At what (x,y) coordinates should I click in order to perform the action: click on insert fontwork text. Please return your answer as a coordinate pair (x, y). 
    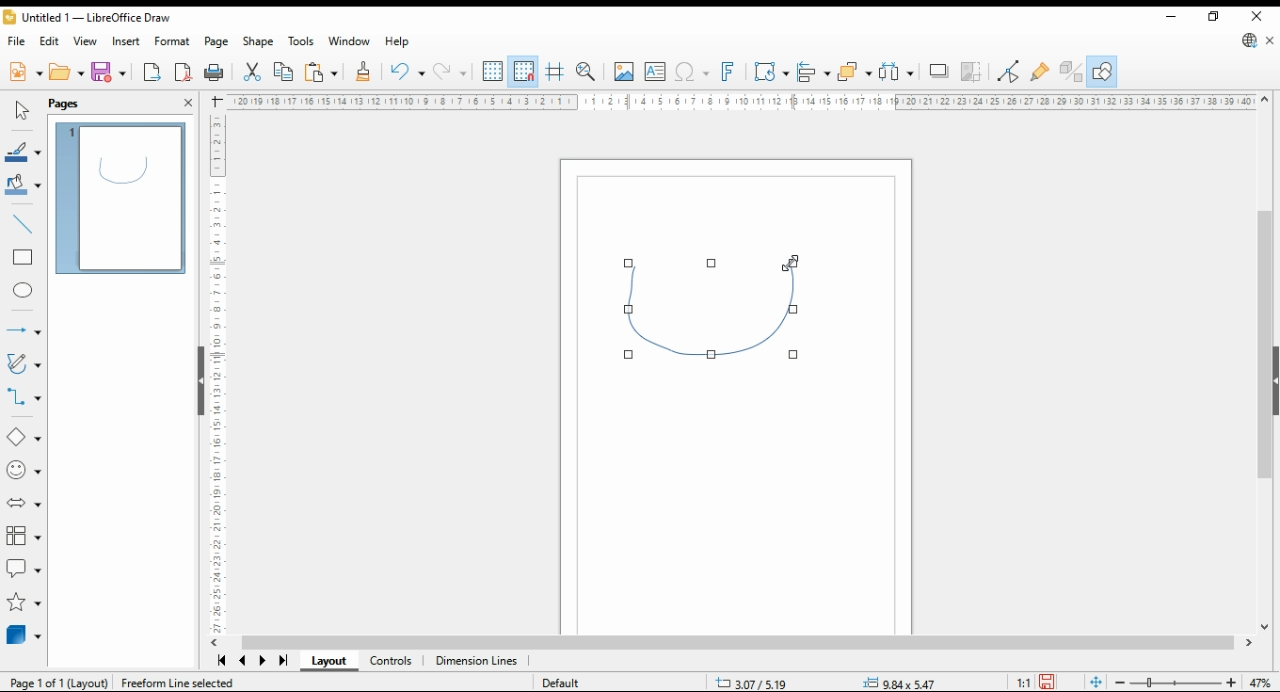
    Looking at the image, I should click on (729, 72).